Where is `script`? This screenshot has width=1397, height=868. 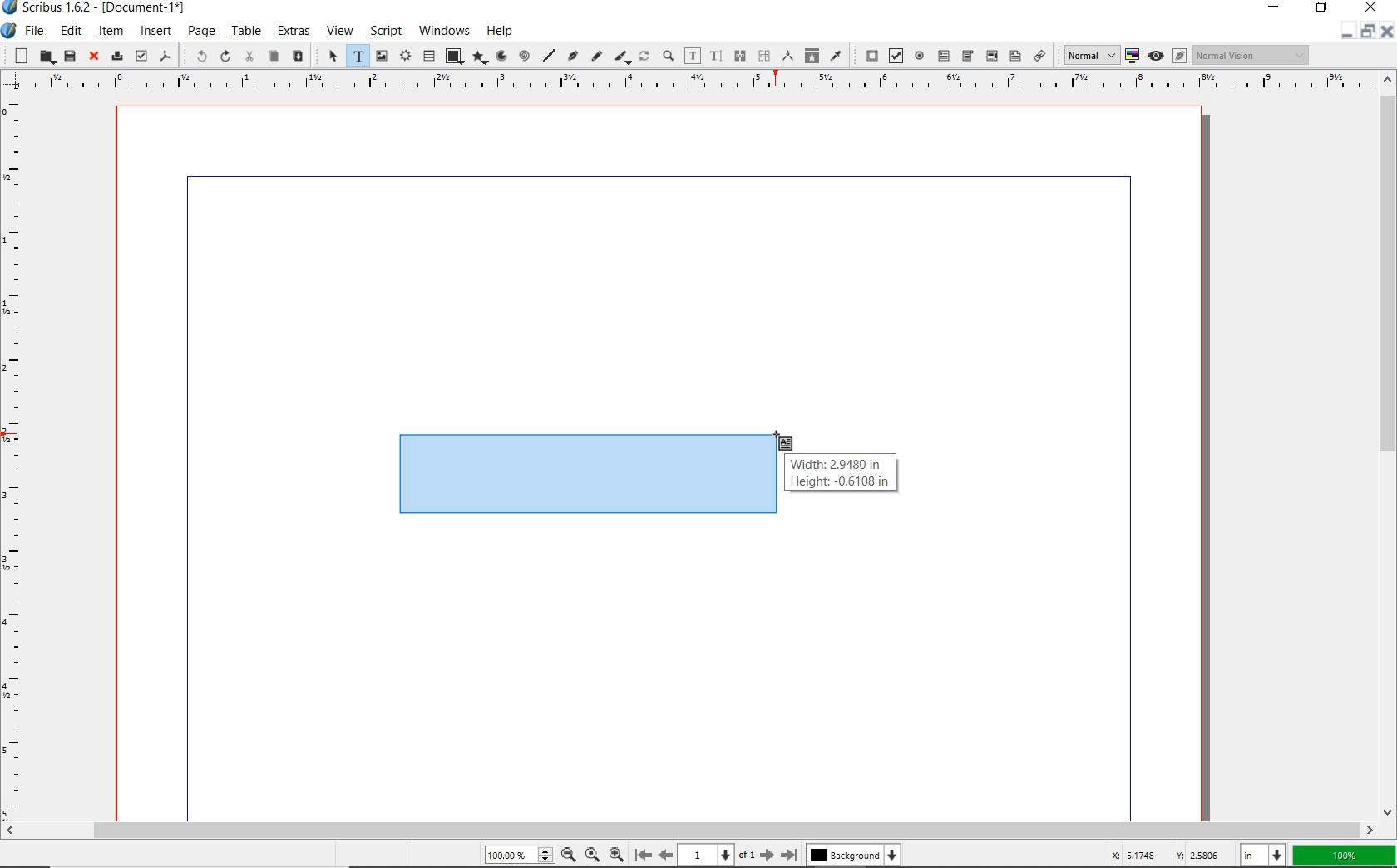 script is located at coordinates (383, 32).